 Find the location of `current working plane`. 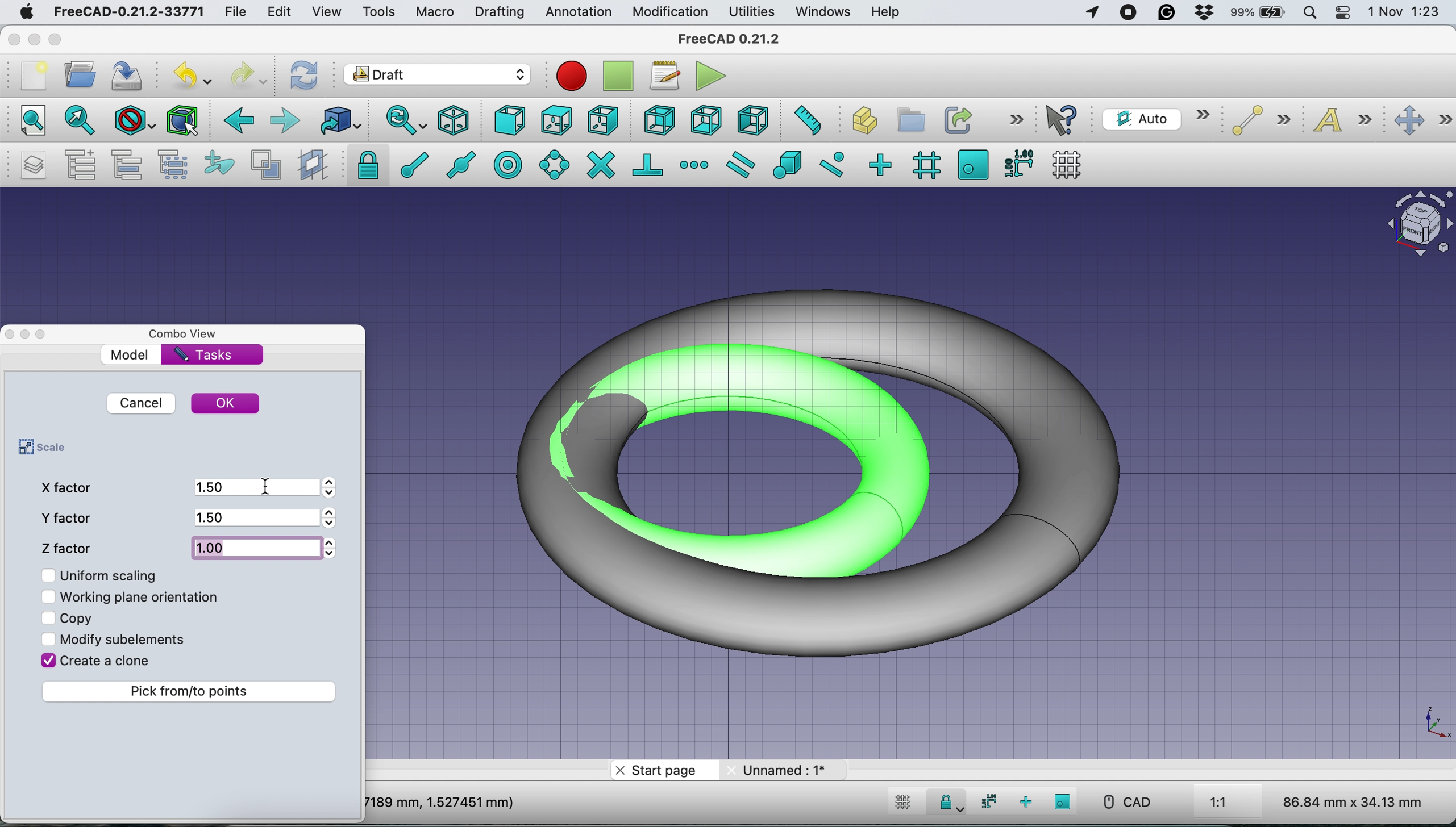

current working plane is located at coordinates (1155, 118).